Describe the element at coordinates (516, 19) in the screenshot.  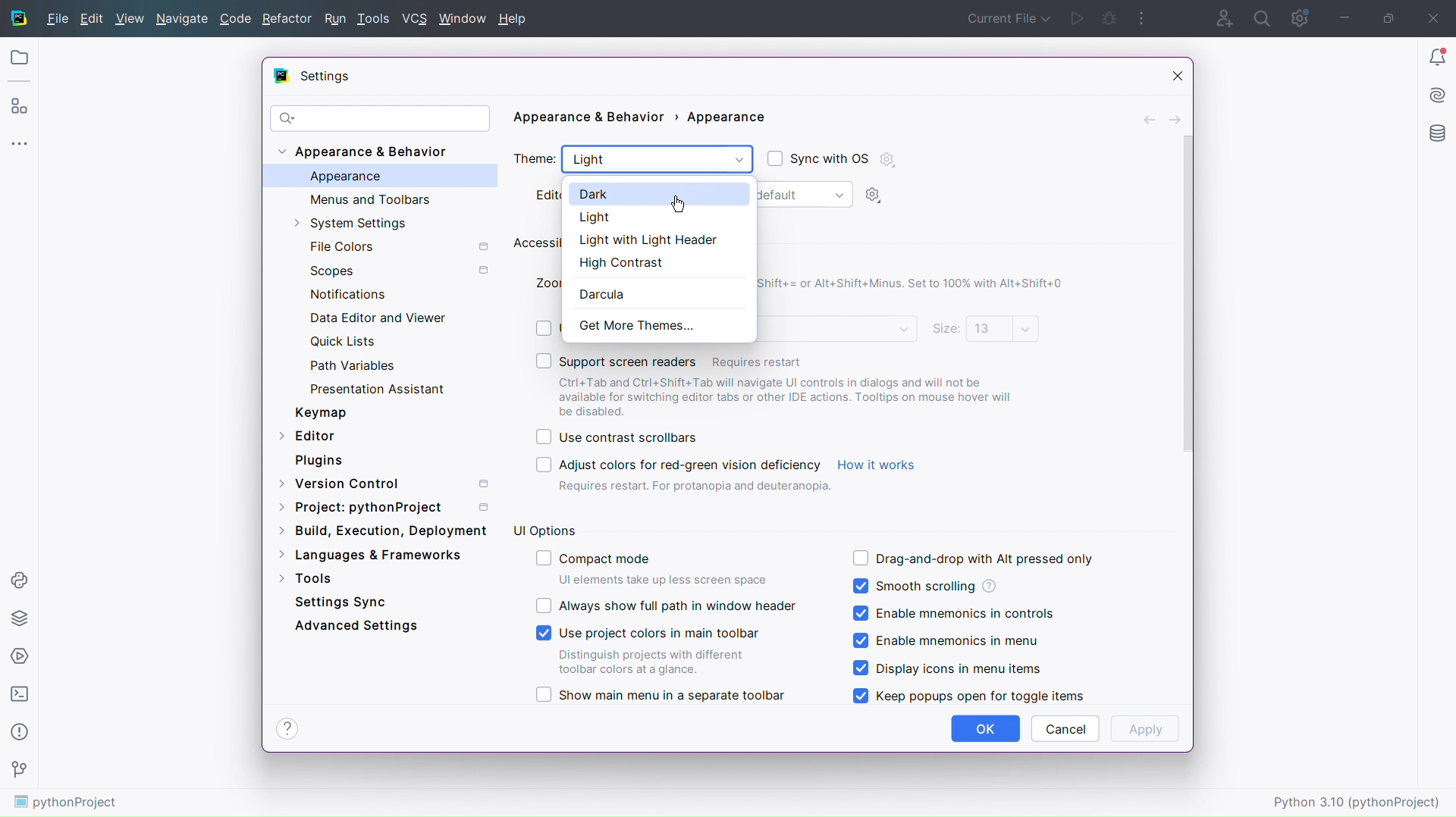
I see `Help` at that location.